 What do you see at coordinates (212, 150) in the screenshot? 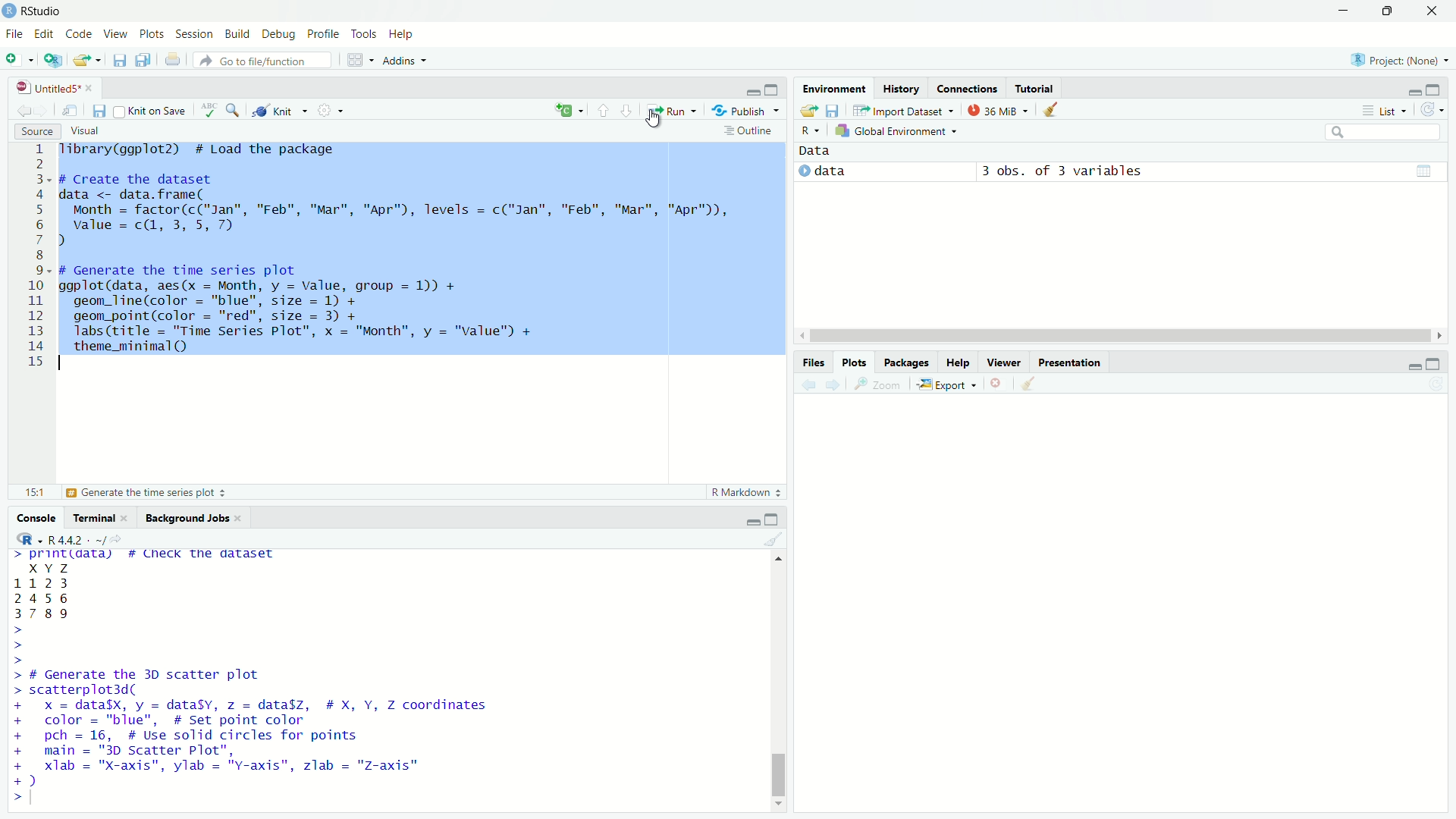
I see `library to load the package` at bounding box center [212, 150].